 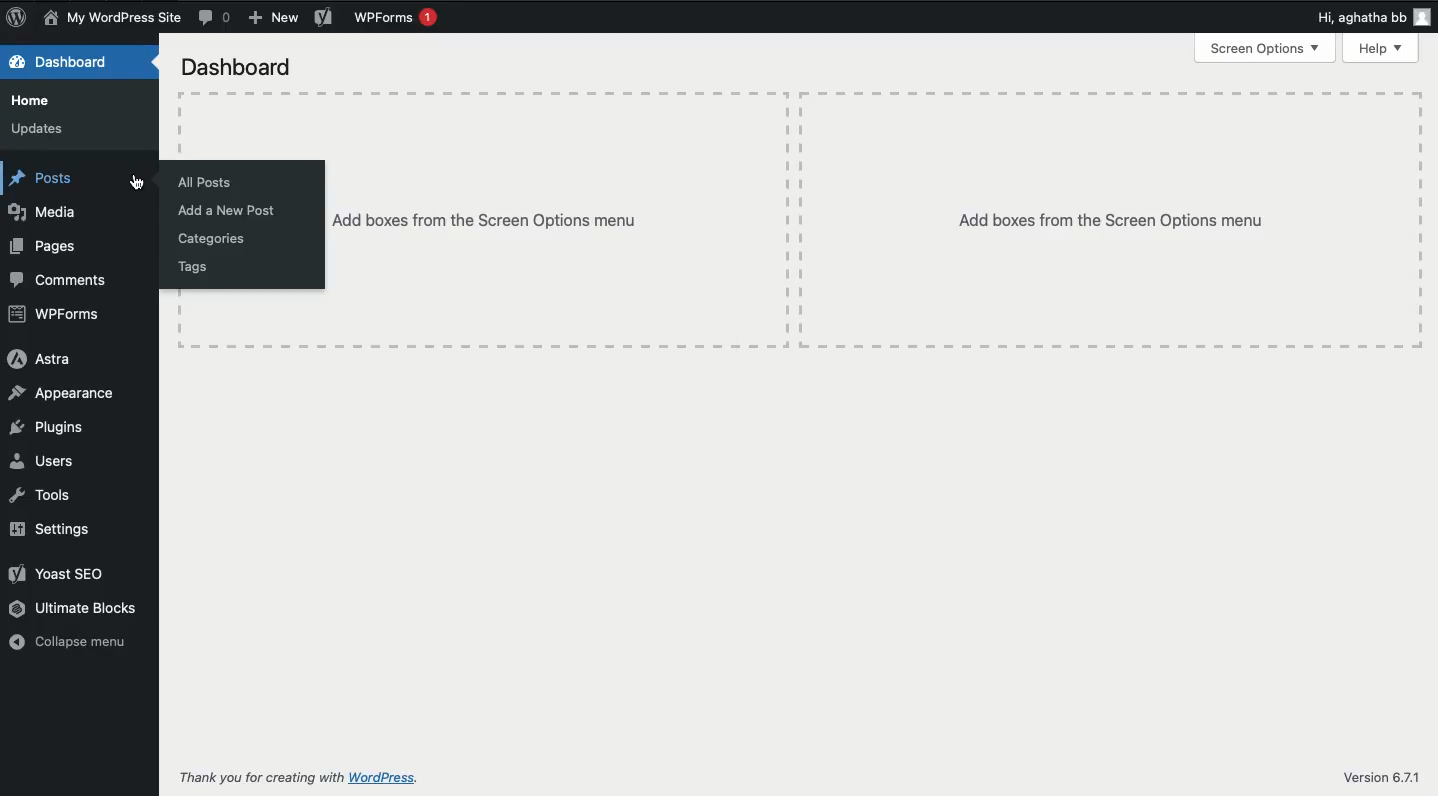 What do you see at coordinates (44, 180) in the screenshot?
I see `Posts` at bounding box center [44, 180].